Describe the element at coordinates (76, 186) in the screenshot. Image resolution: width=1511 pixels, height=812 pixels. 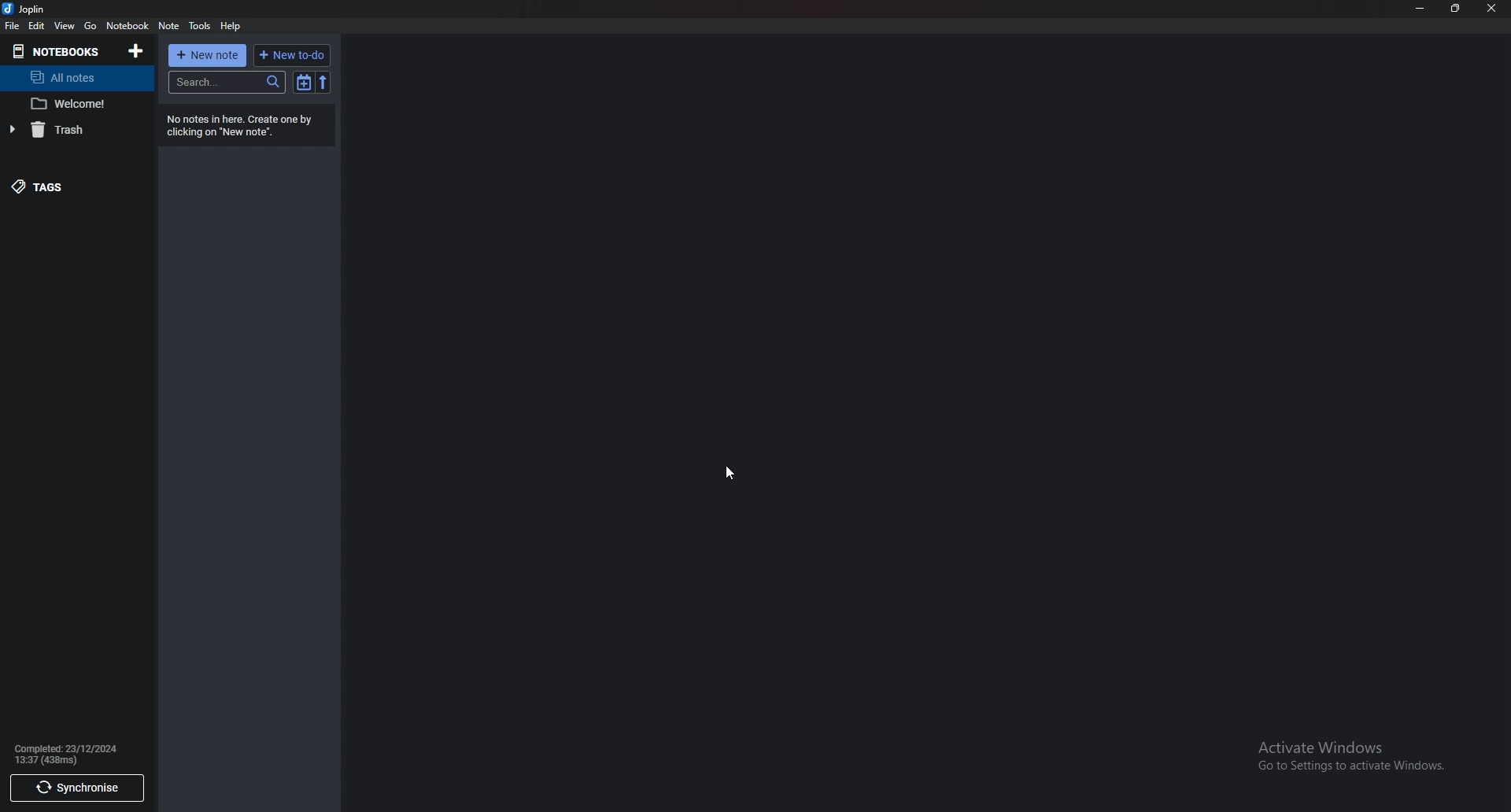
I see `tags` at that location.